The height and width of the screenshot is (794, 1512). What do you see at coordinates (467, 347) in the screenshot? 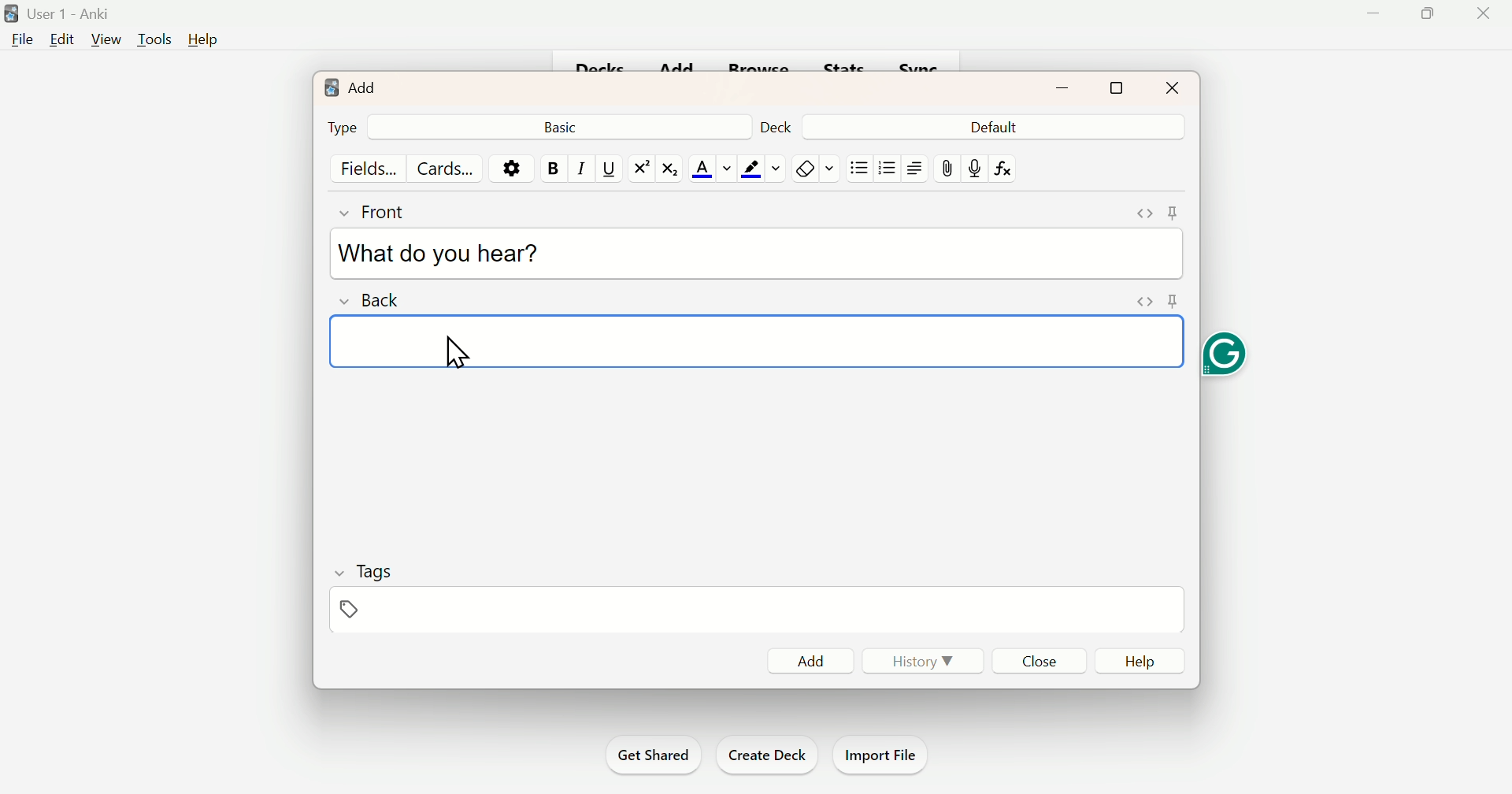
I see `cursor` at bounding box center [467, 347].